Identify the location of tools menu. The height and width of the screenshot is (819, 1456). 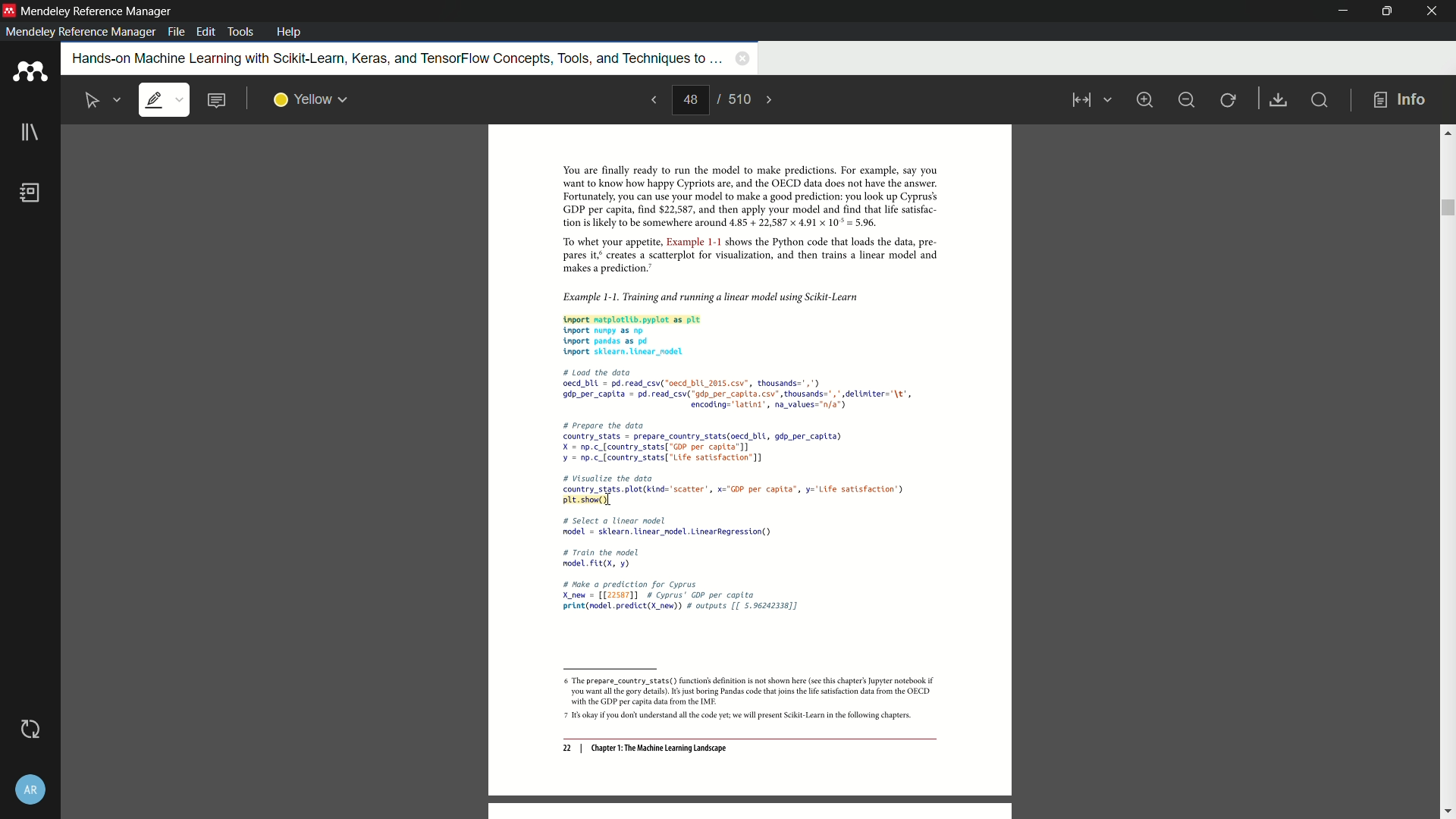
(240, 32).